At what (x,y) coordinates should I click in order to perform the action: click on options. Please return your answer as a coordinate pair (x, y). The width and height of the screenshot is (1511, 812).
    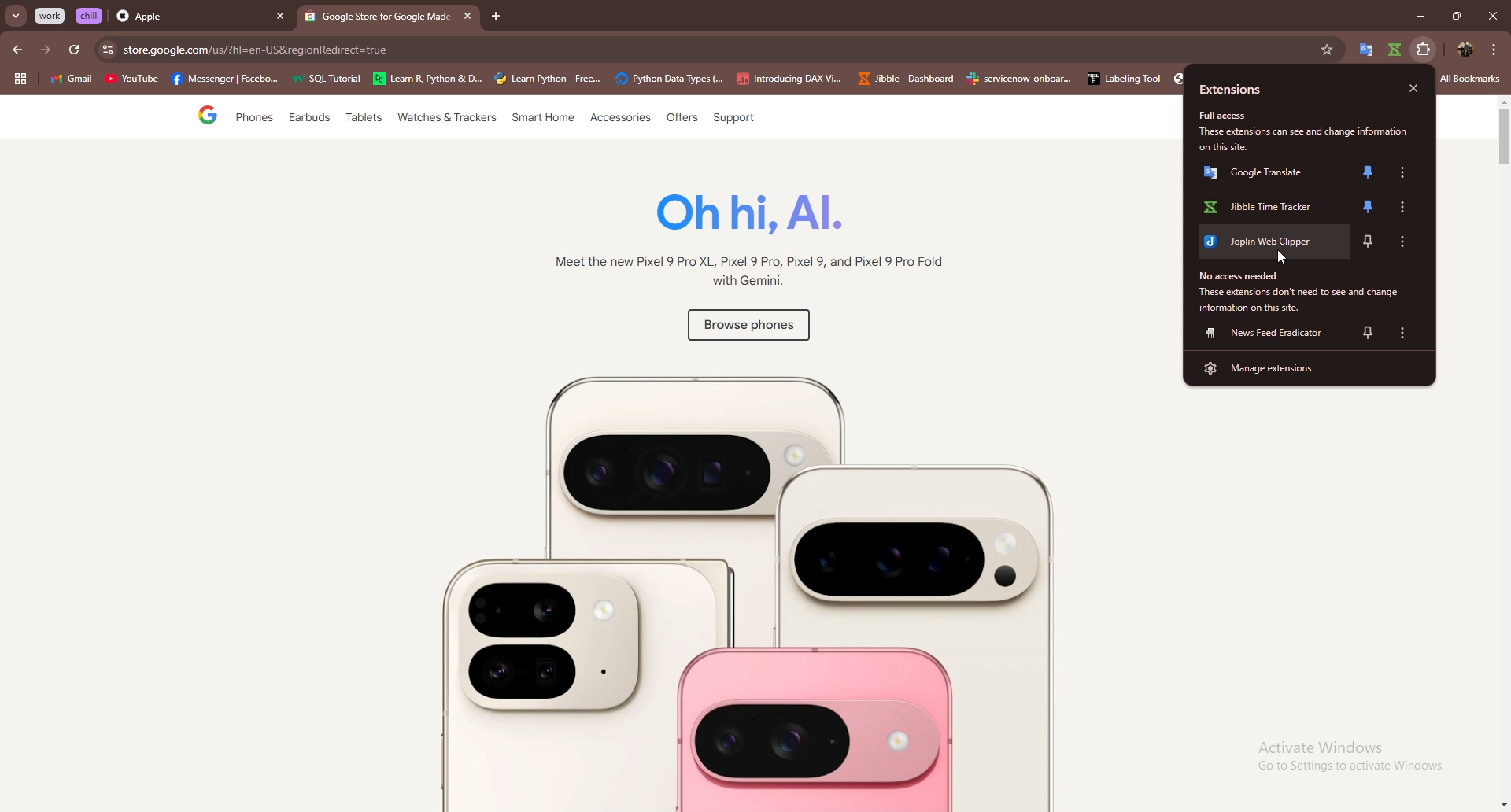
    Looking at the image, I should click on (1494, 49).